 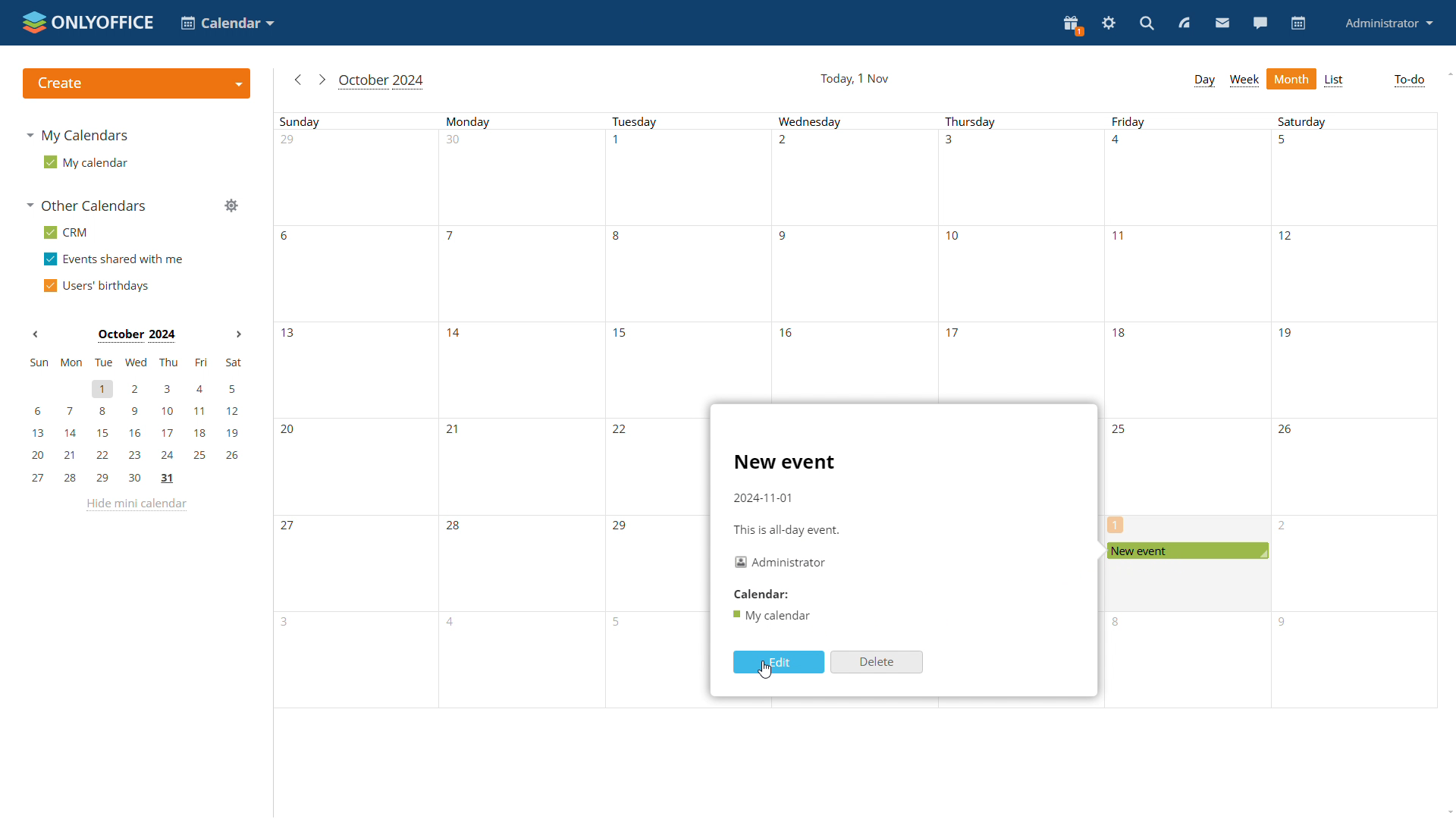 I want to click on manage, so click(x=234, y=207).